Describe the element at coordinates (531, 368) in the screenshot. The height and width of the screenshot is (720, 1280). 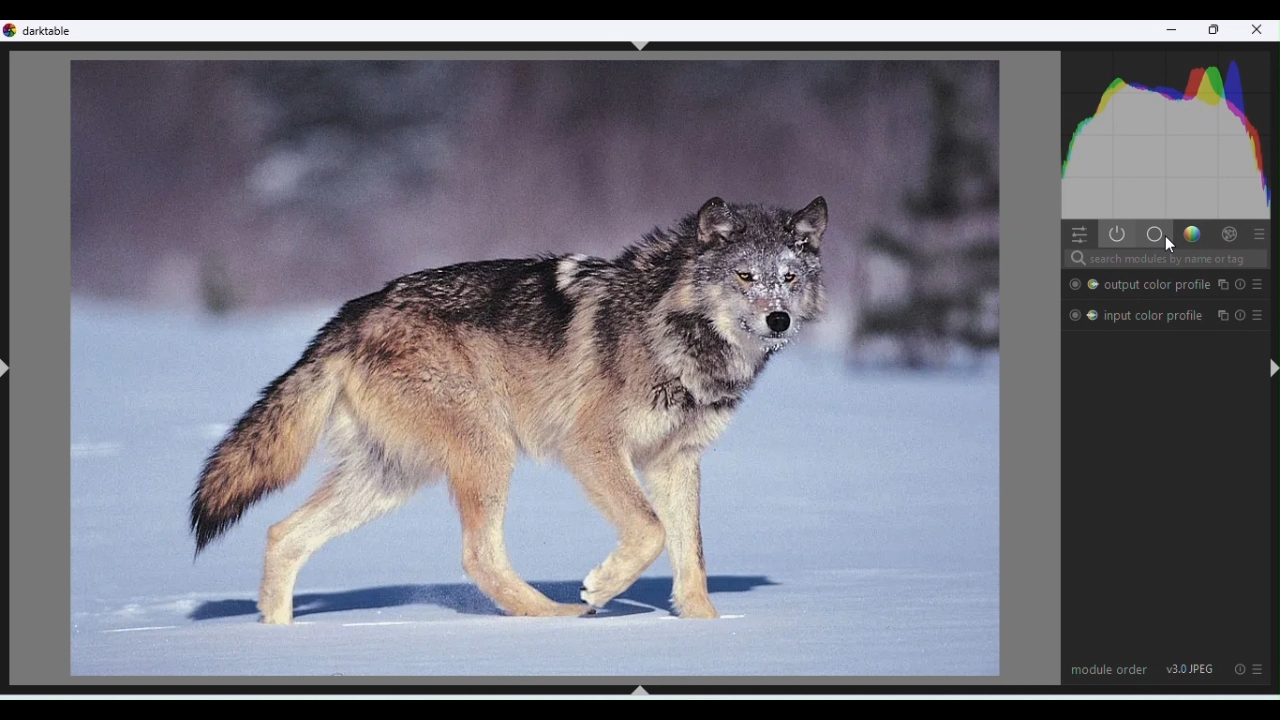
I see `Image` at that location.